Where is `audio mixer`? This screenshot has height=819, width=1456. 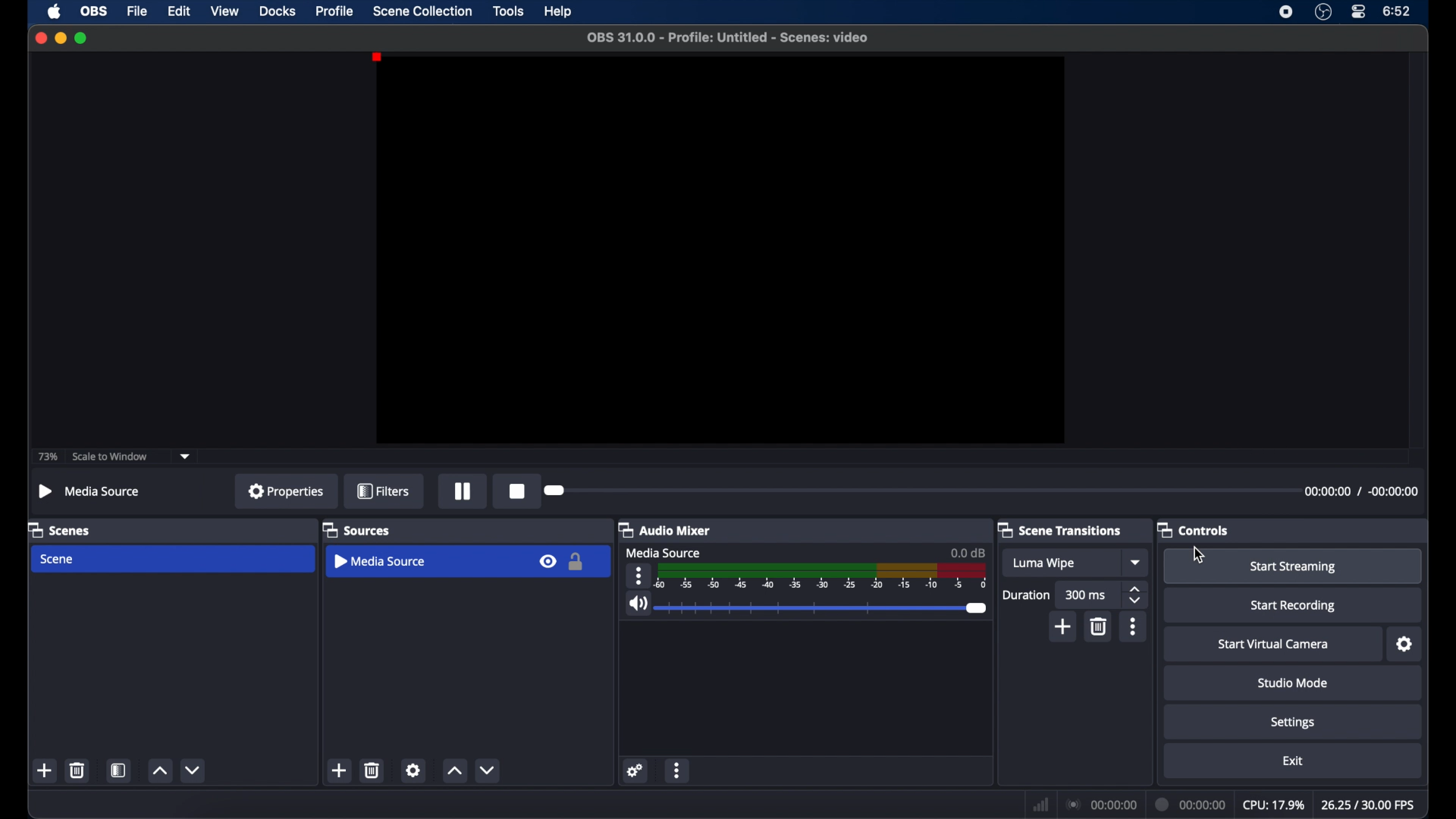
audio mixer is located at coordinates (665, 529).